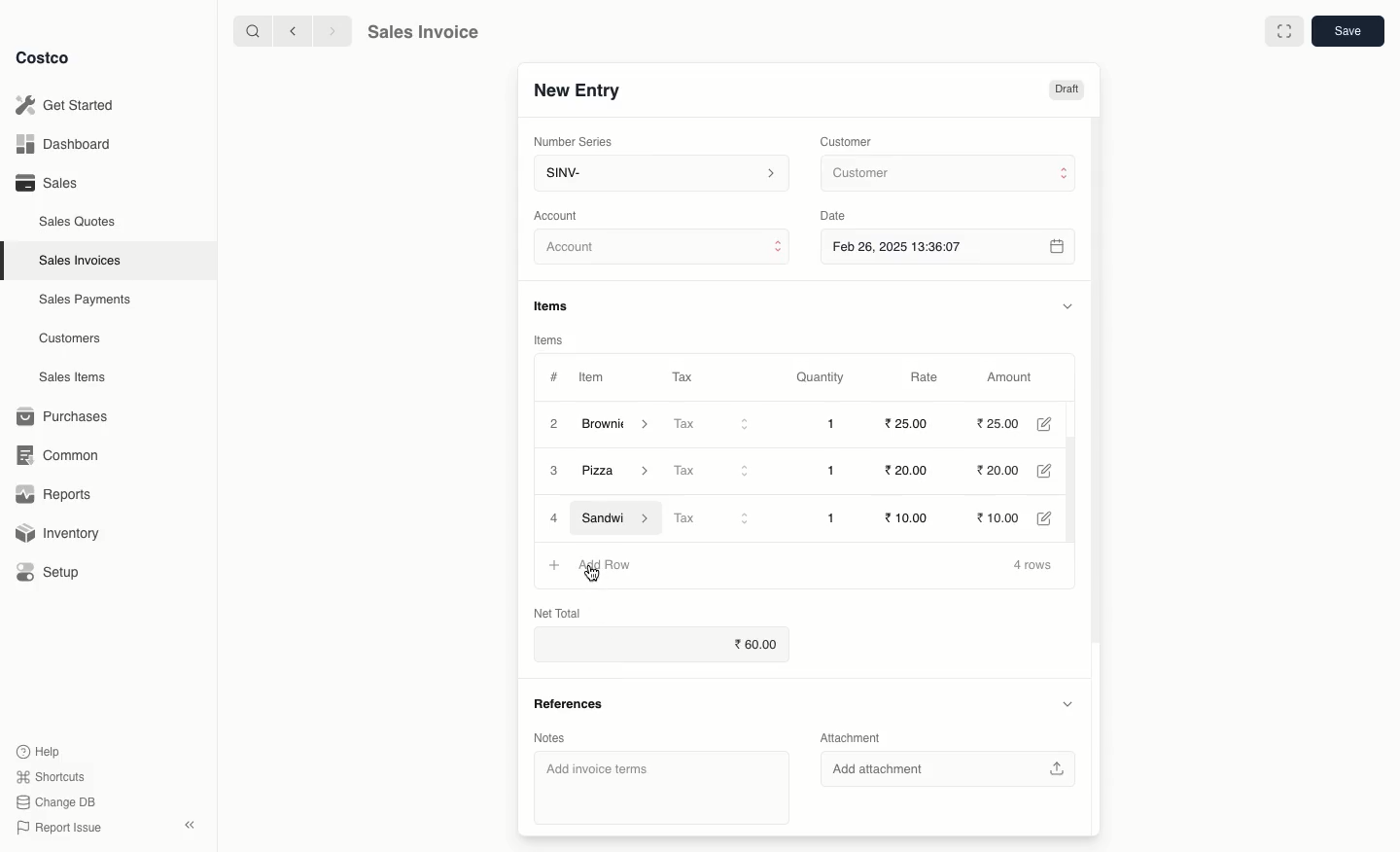 Image resolution: width=1400 pixels, height=852 pixels. I want to click on Tax, so click(714, 425).